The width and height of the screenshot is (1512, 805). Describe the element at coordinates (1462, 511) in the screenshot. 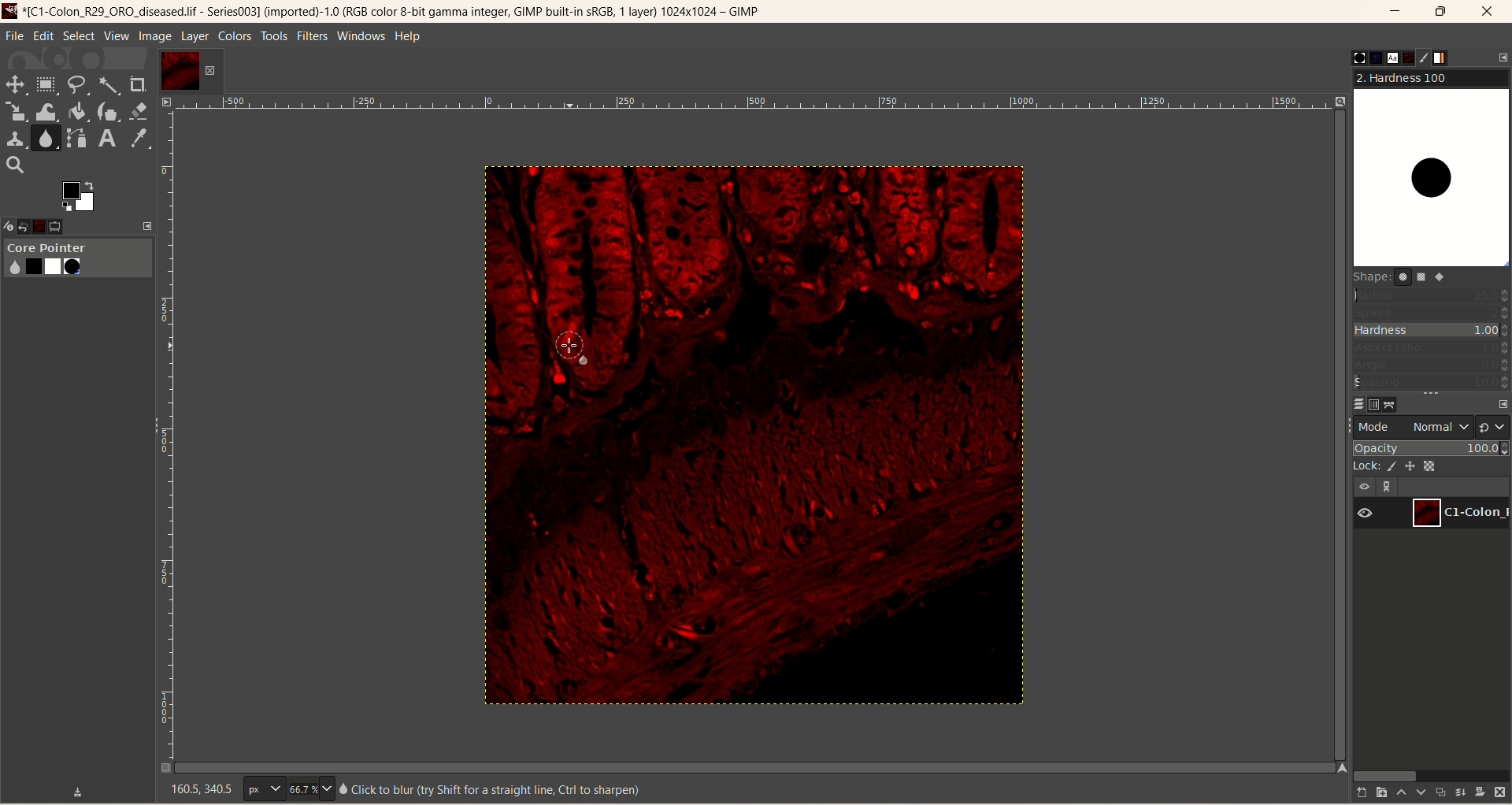

I see `layer1` at that location.